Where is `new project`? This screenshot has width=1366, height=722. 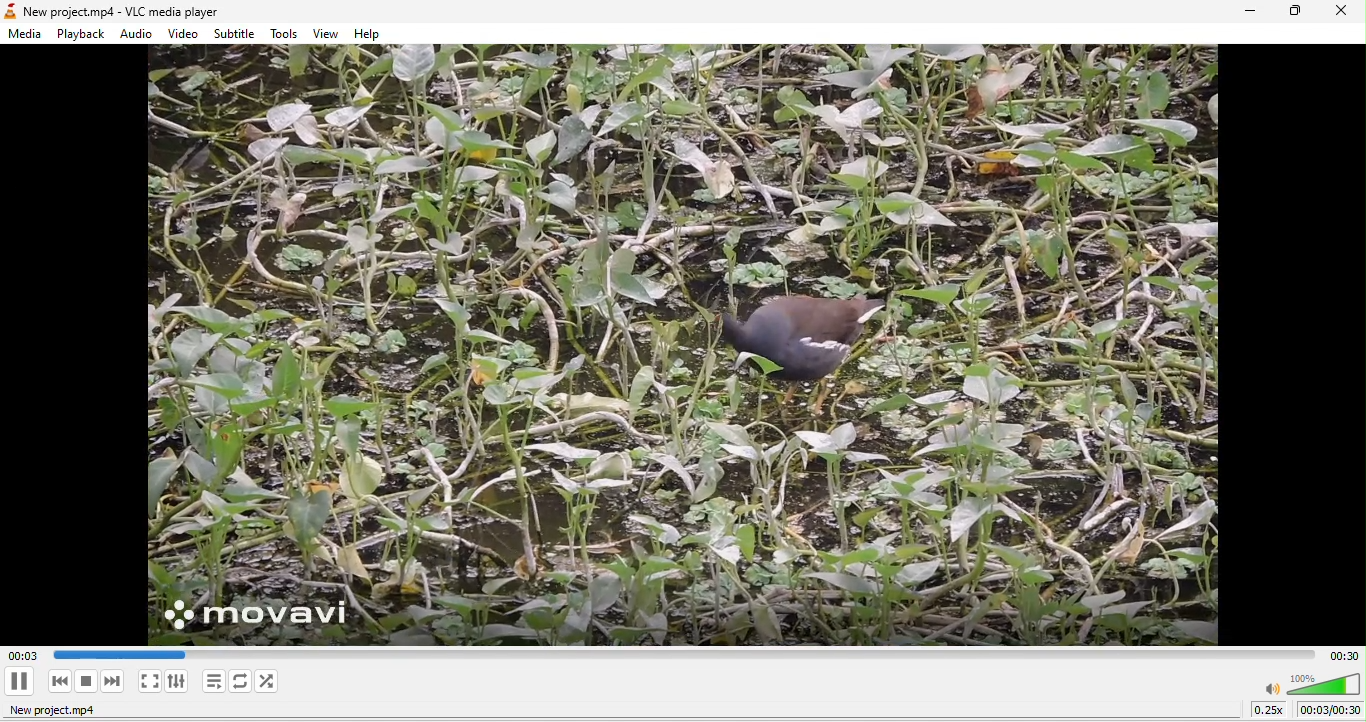 new project is located at coordinates (63, 712).